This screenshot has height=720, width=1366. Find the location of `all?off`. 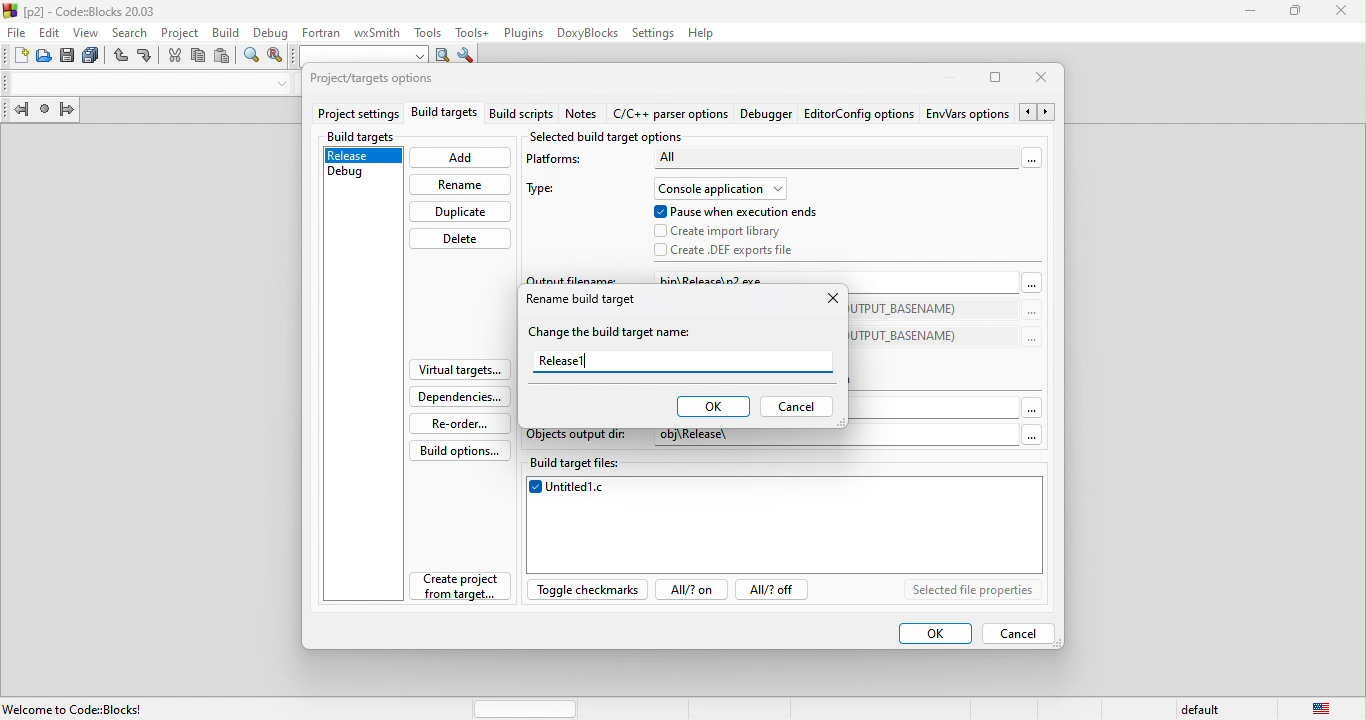

all?off is located at coordinates (776, 591).